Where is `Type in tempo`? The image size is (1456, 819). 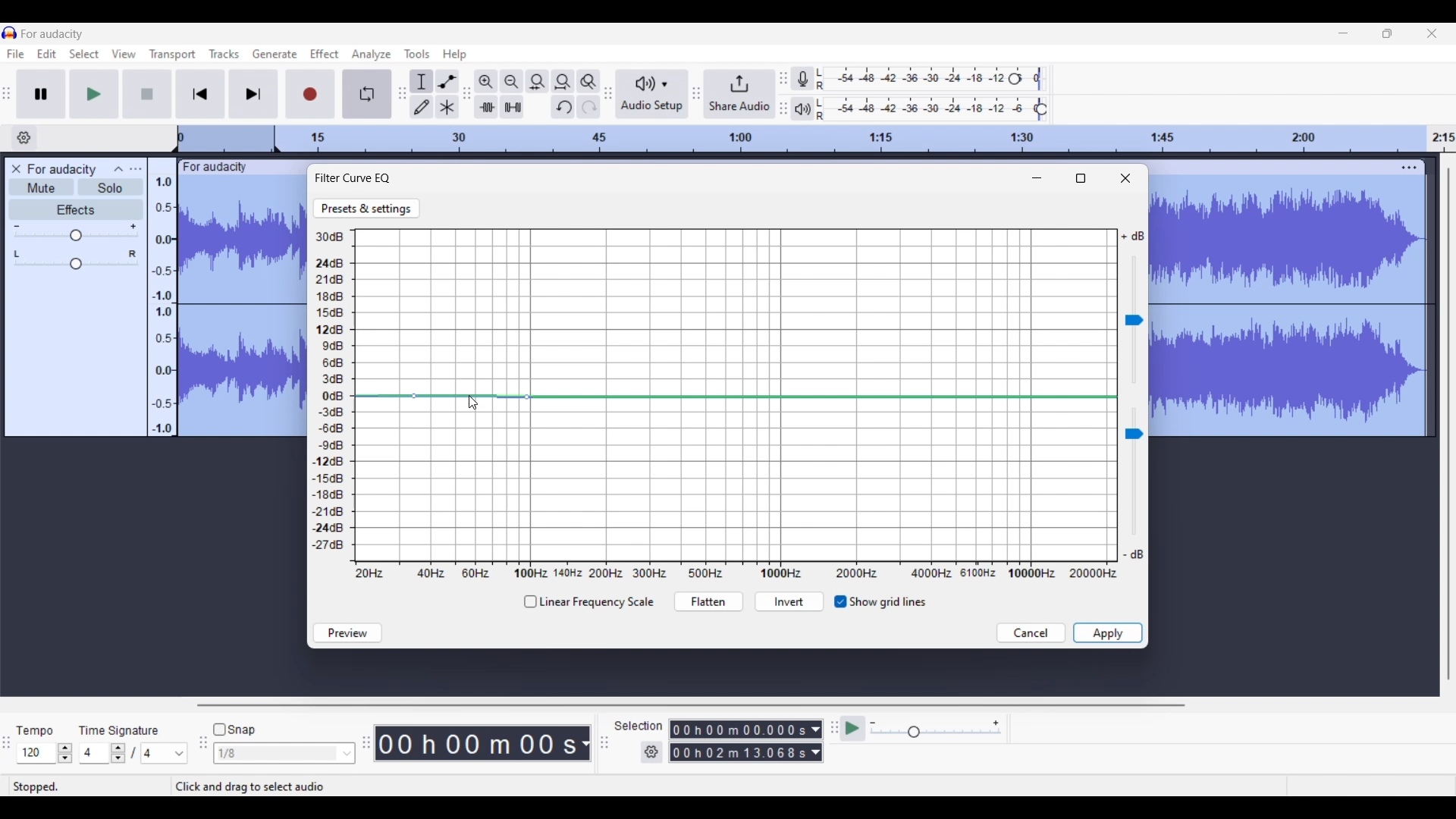 Type in tempo is located at coordinates (36, 753).